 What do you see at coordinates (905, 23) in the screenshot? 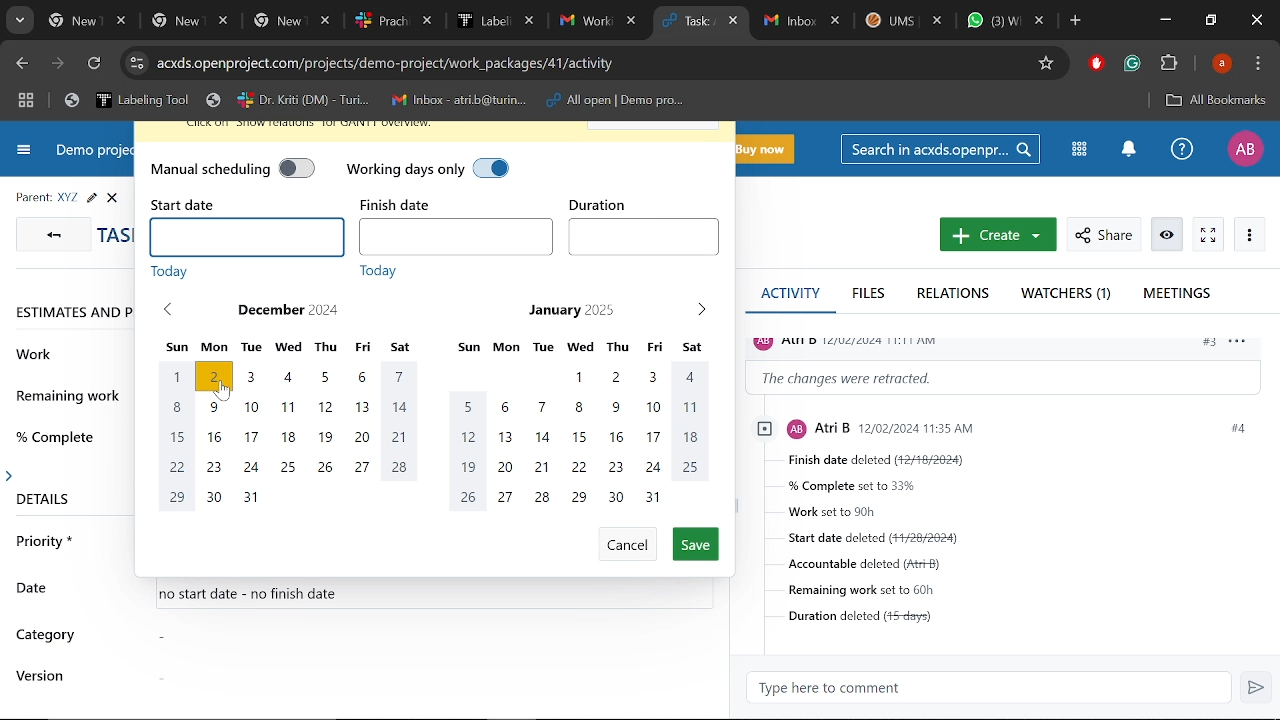
I see `Other tabs` at bounding box center [905, 23].